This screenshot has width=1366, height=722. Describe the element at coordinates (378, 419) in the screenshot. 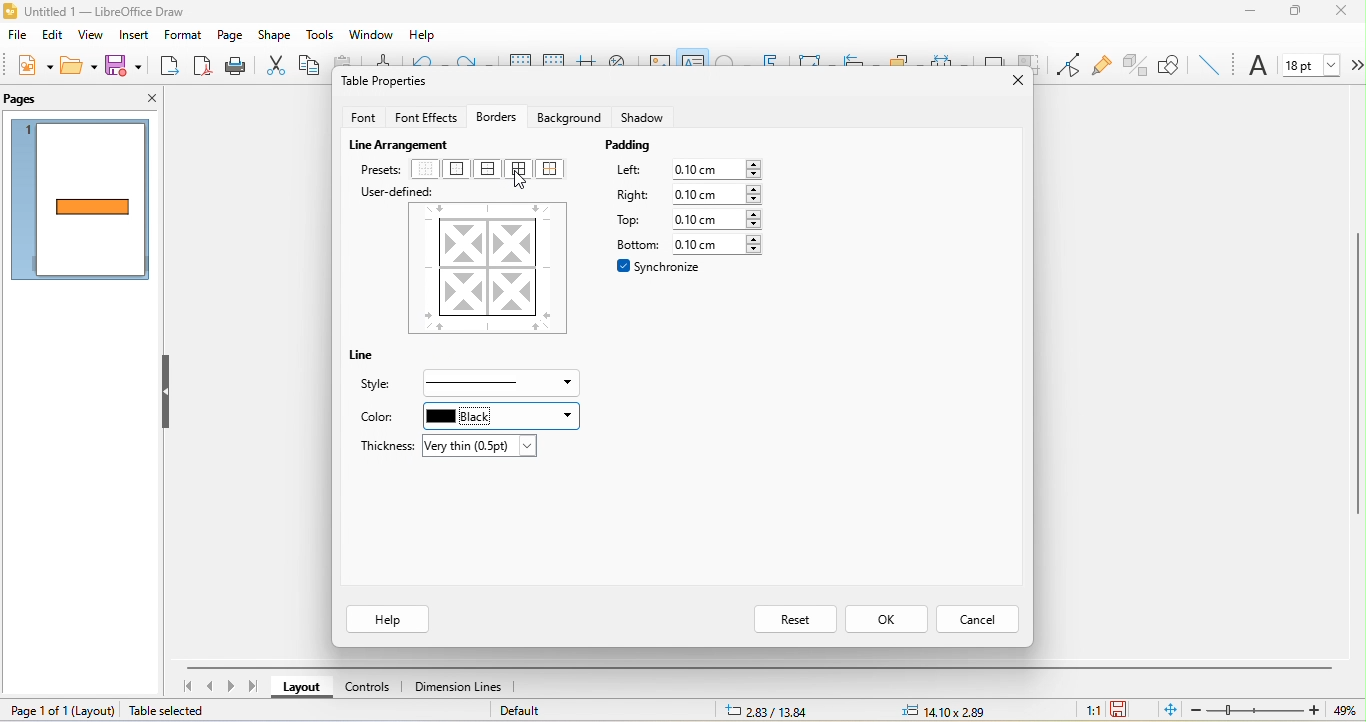

I see `color` at that location.